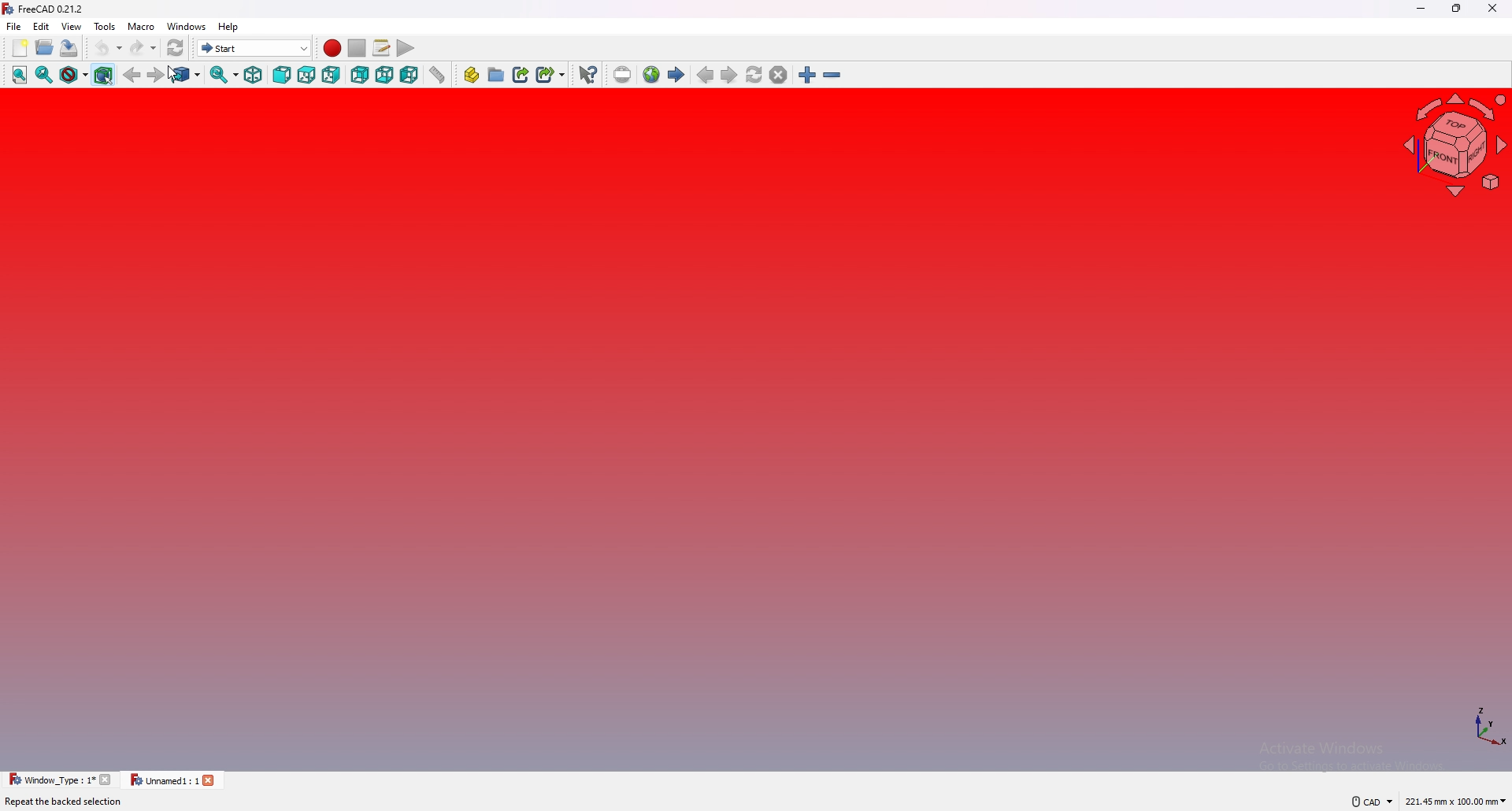 The image size is (1512, 811). Describe the element at coordinates (282, 74) in the screenshot. I see `front` at that location.